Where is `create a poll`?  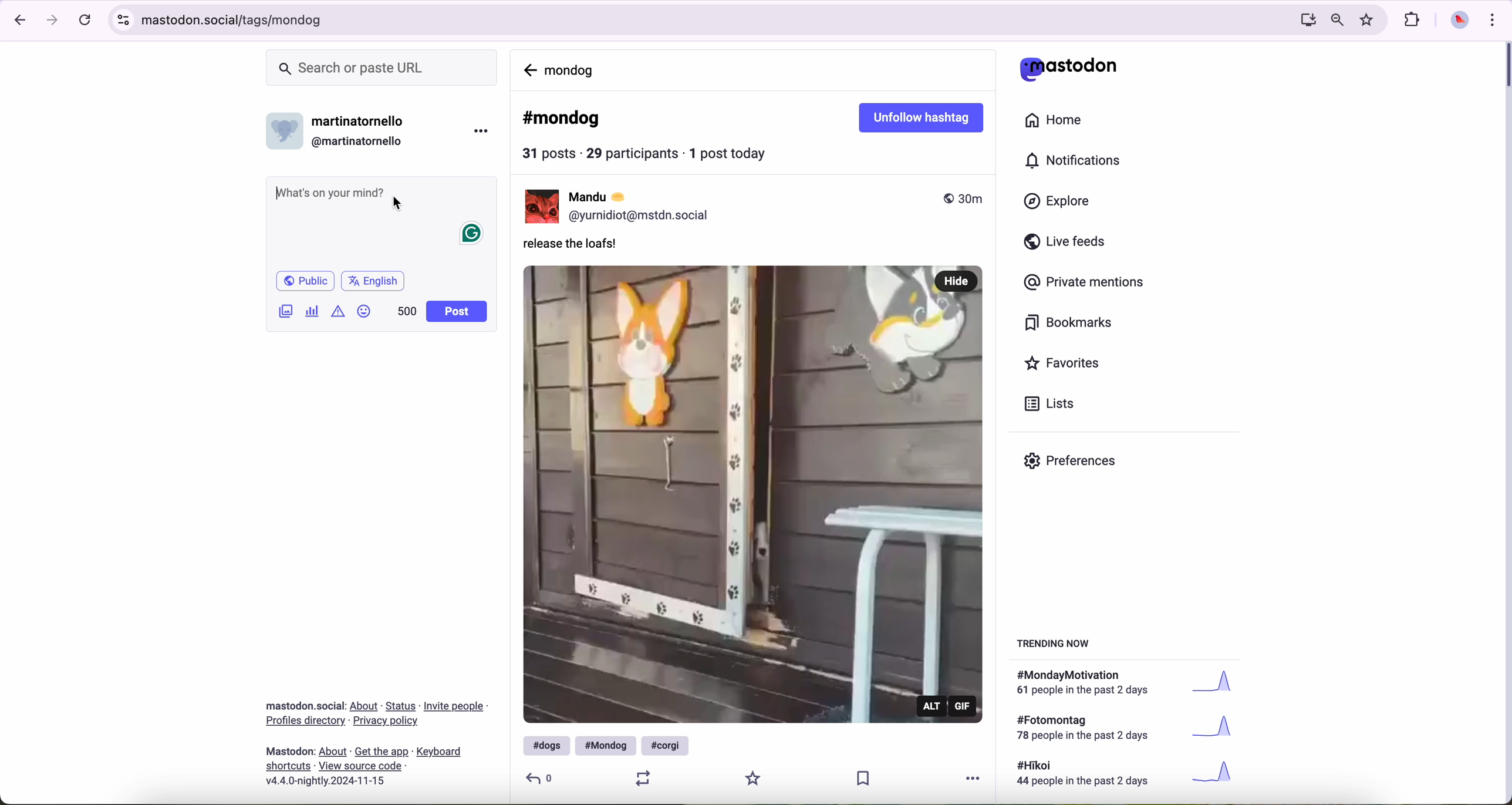 create a poll is located at coordinates (313, 311).